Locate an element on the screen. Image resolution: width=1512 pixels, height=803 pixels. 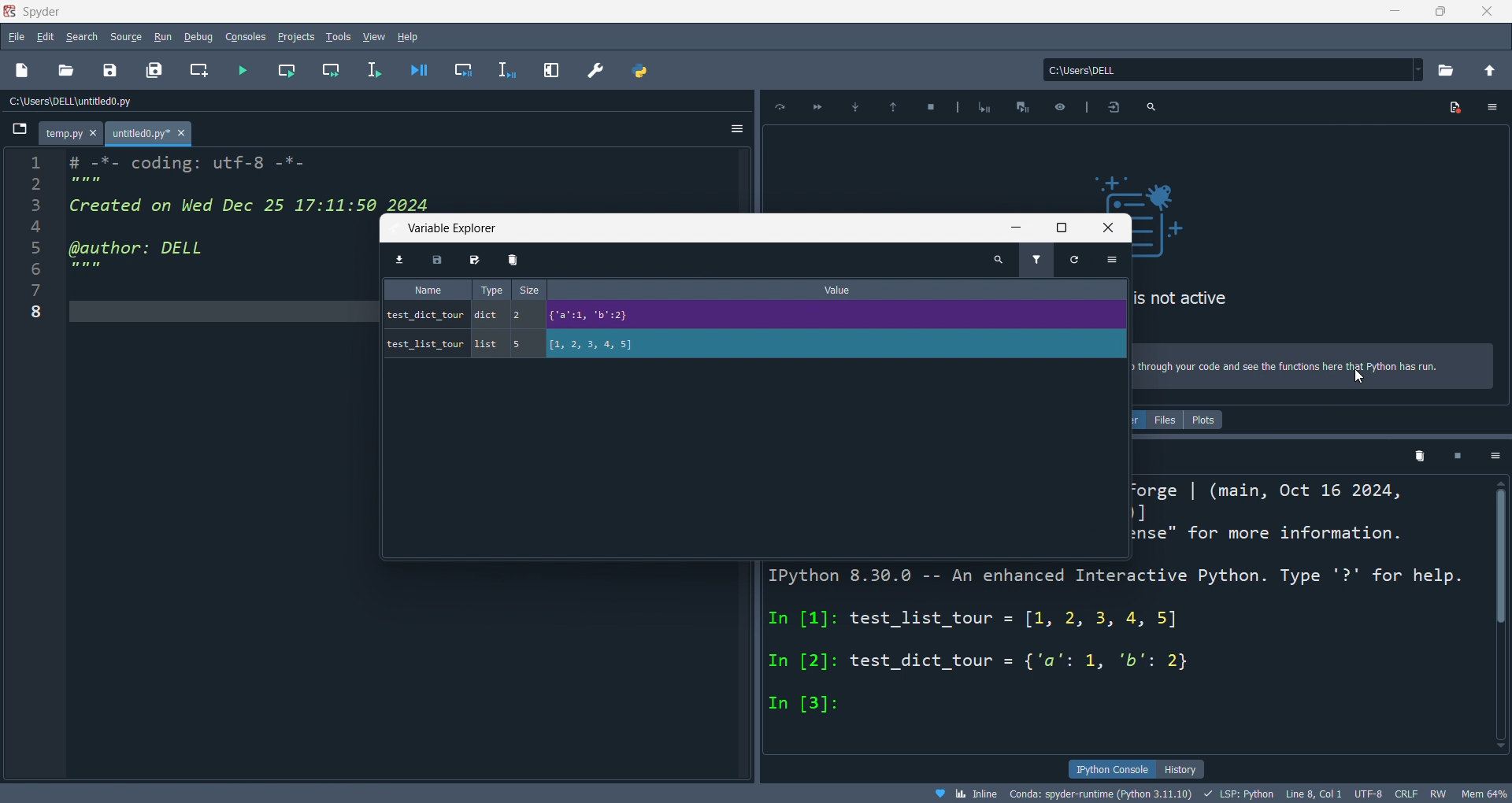
debug cell is located at coordinates (463, 71).